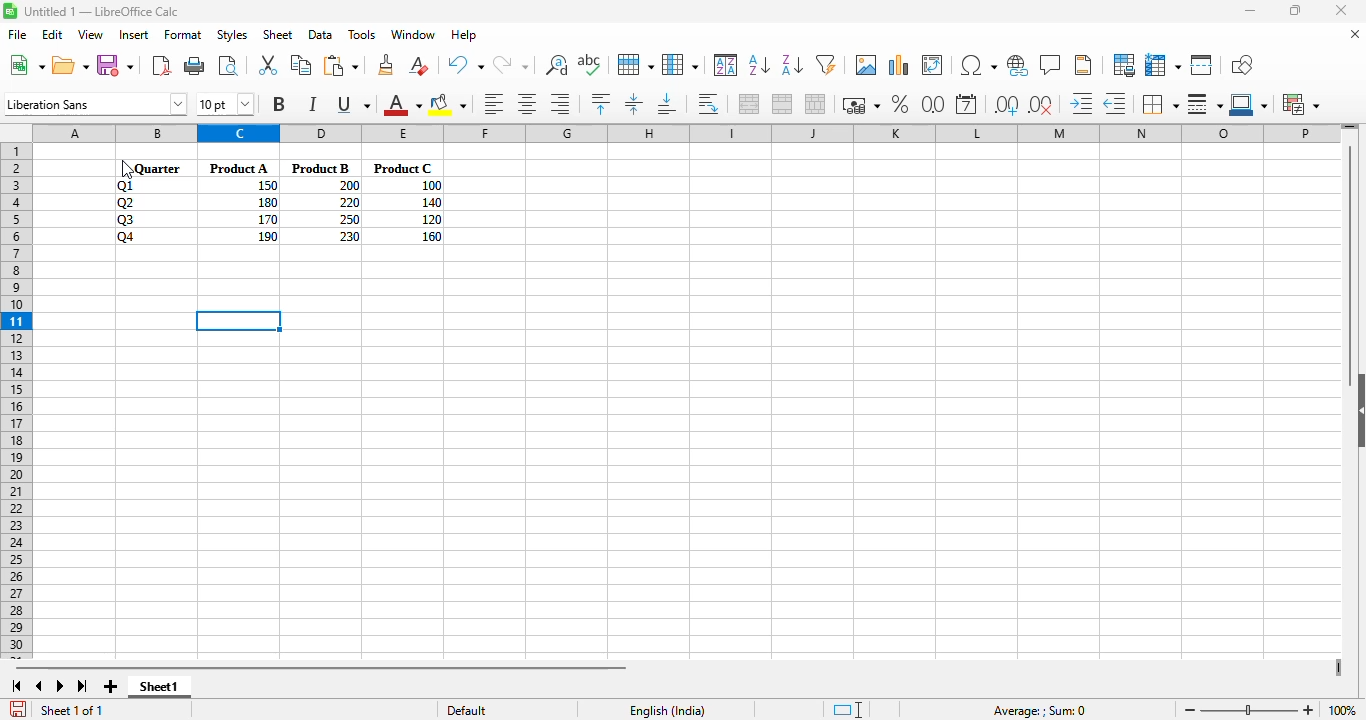 Image resolution: width=1366 pixels, height=720 pixels. I want to click on clear direct formatting, so click(419, 65).